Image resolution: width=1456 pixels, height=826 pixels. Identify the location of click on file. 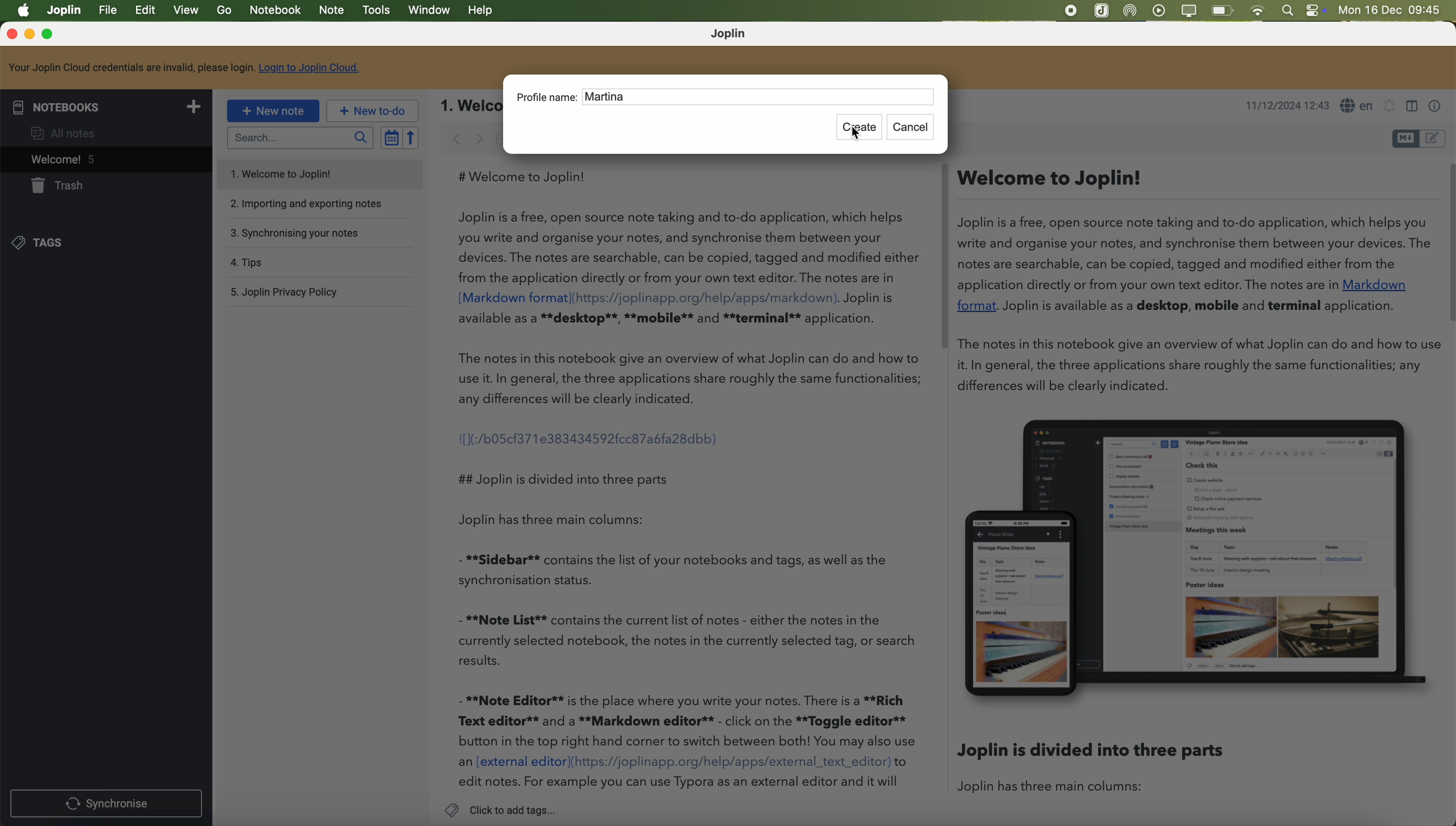
(109, 12).